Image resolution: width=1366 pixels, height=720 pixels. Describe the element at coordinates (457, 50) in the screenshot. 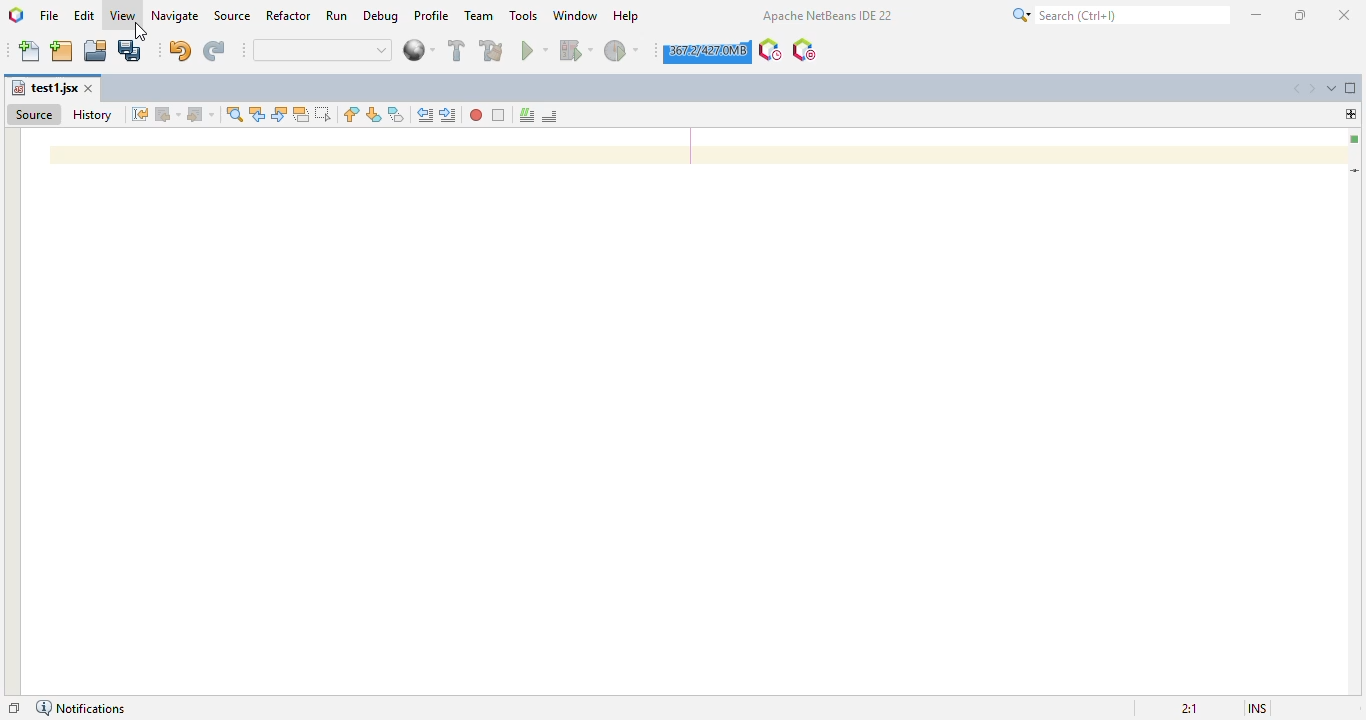

I see `build project` at that location.